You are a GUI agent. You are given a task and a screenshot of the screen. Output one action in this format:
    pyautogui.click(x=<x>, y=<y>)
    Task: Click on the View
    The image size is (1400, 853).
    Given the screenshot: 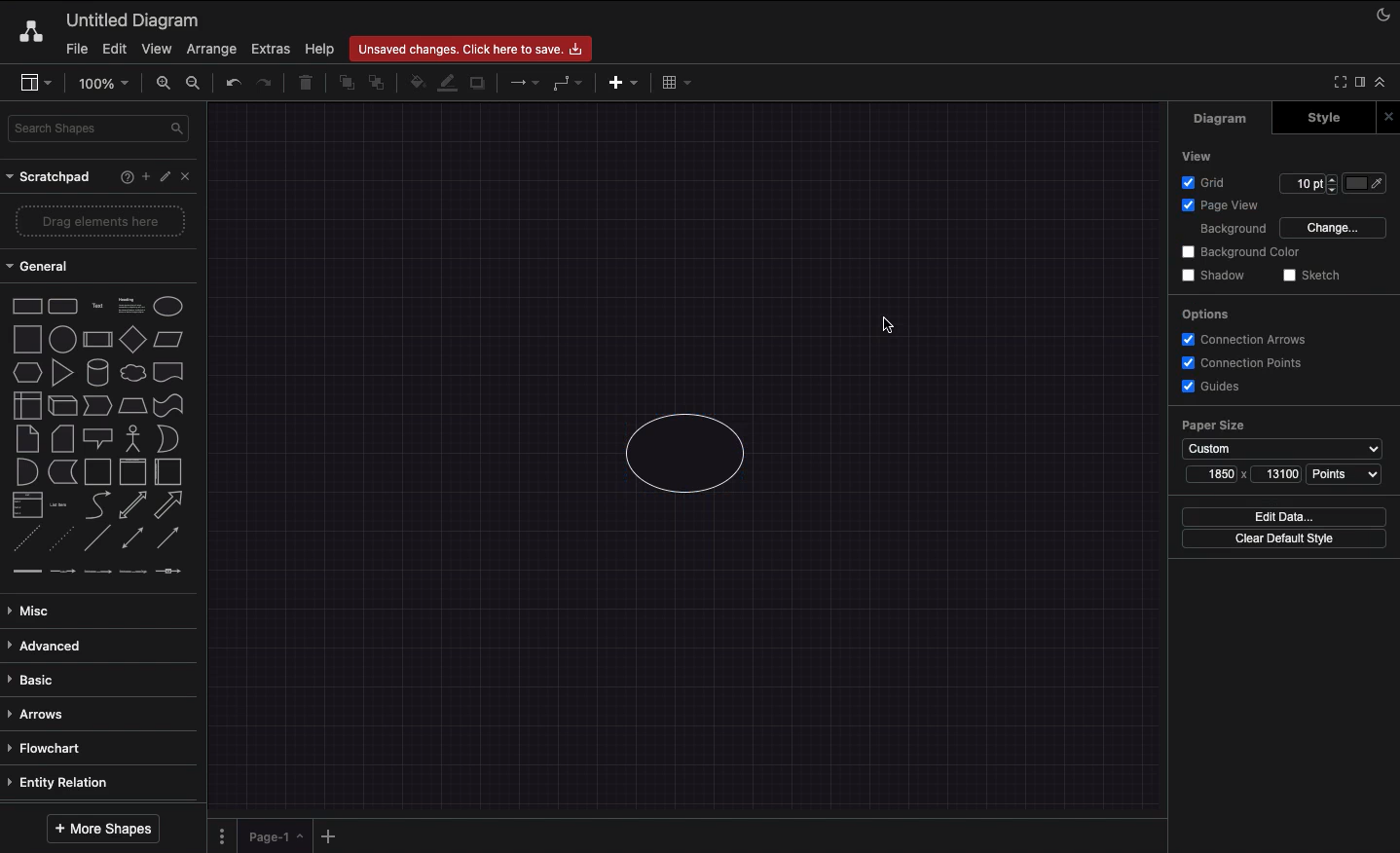 What is the action you would take?
    pyautogui.click(x=1198, y=155)
    